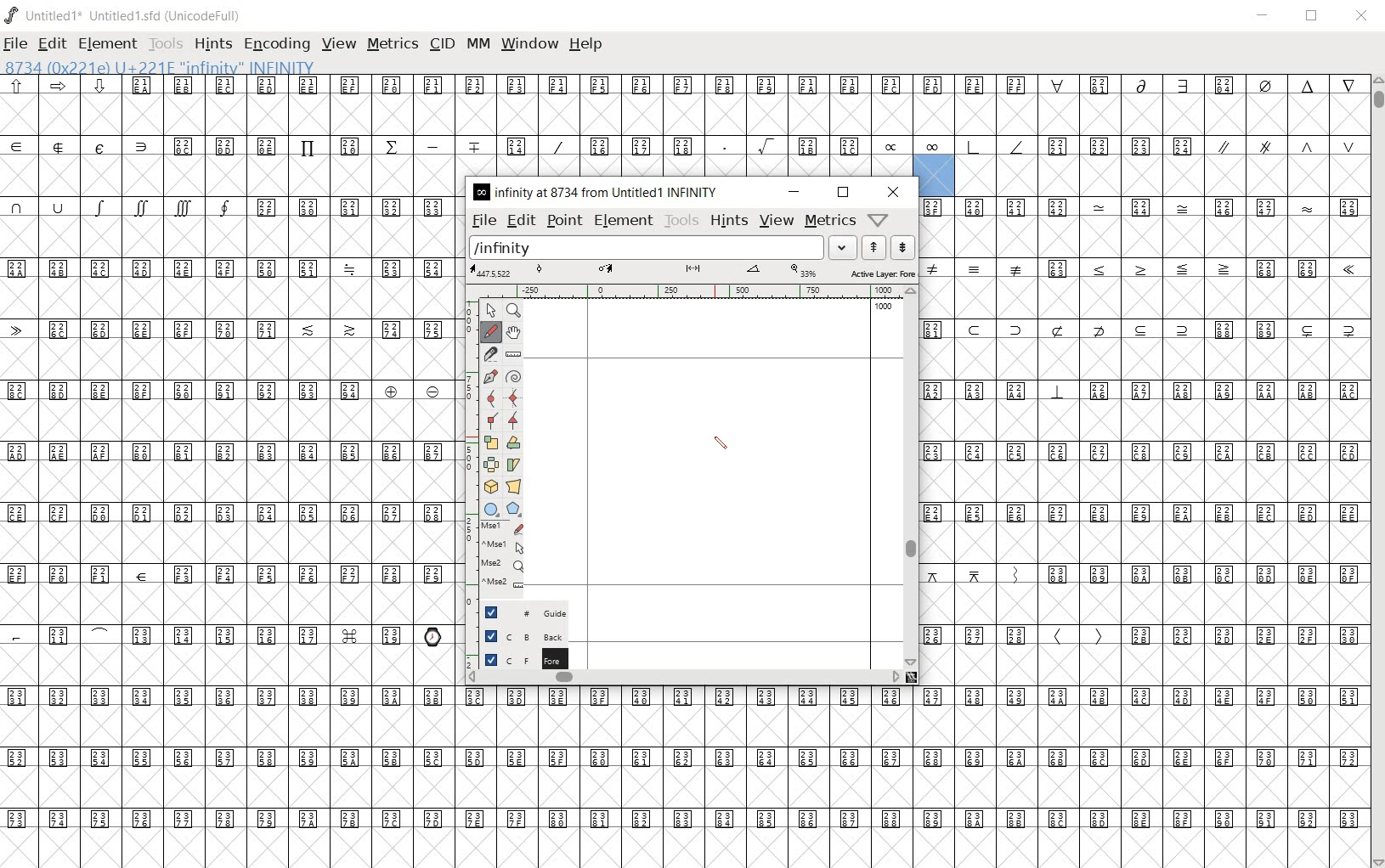 The width and height of the screenshot is (1385, 868). Describe the element at coordinates (350, 206) in the screenshot. I see `Unicode code points` at that location.